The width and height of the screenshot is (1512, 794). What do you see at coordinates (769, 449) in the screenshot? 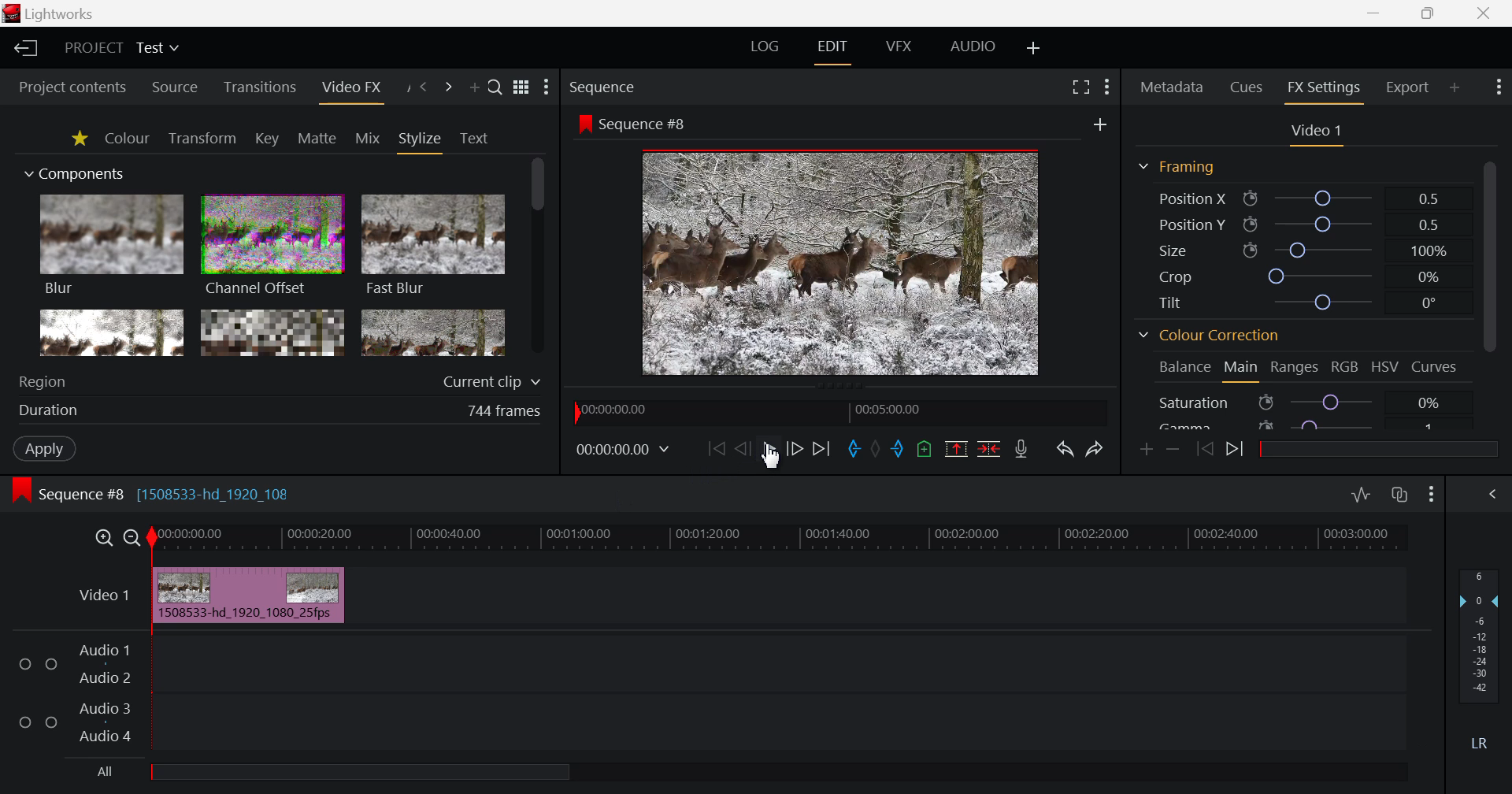
I see `Cursor on Play` at bounding box center [769, 449].